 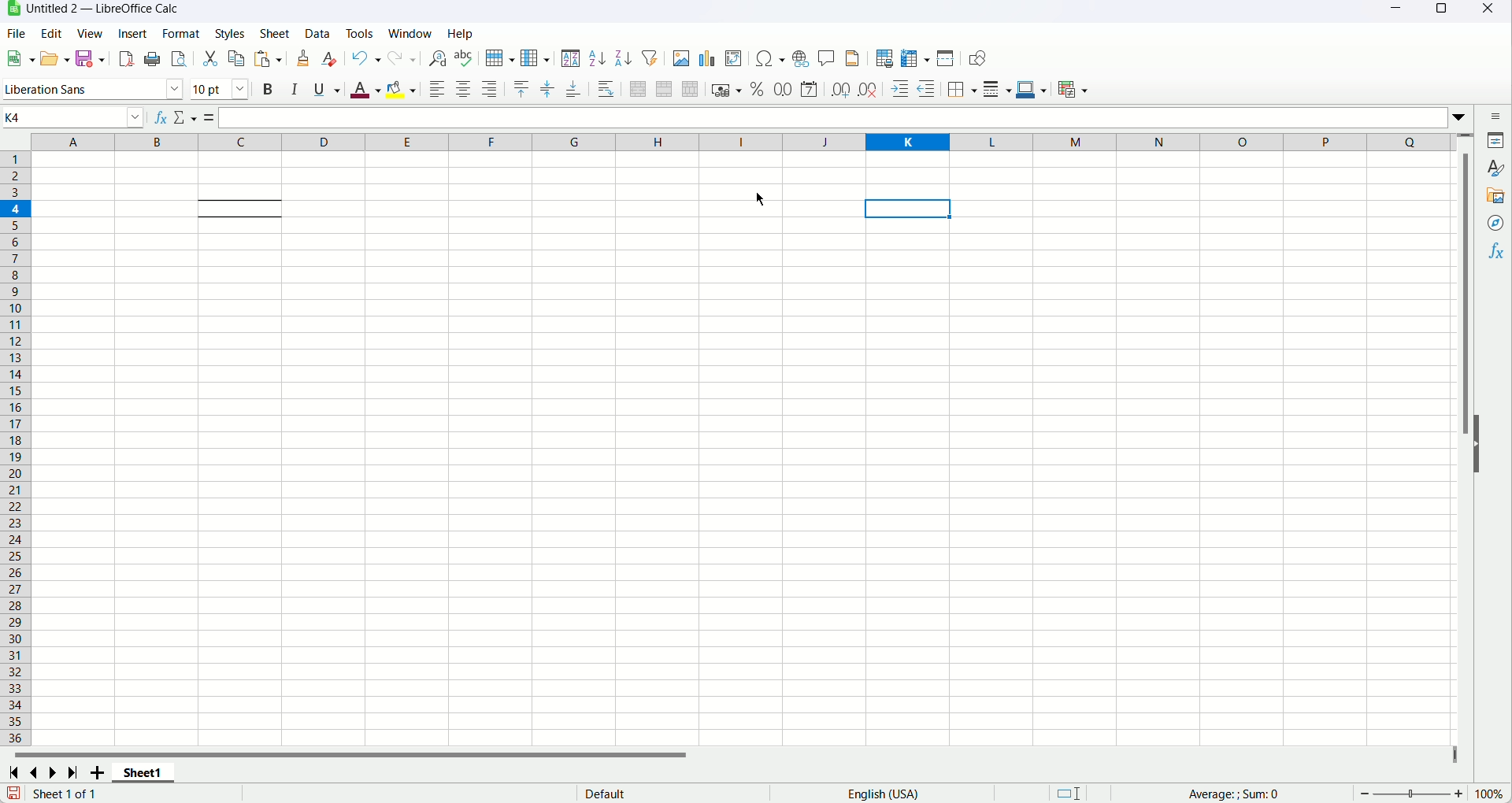 I want to click on Hide, so click(x=1483, y=453).